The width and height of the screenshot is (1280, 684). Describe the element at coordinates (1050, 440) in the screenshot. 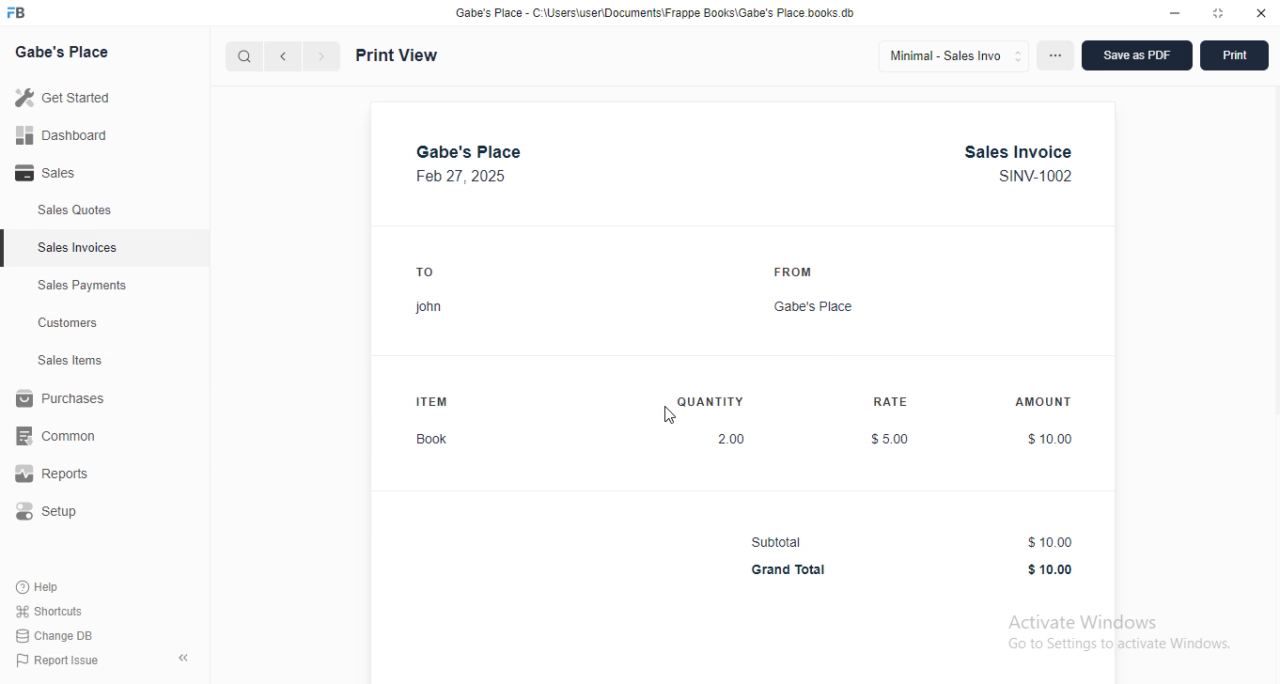

I see `$10.00` at that location.